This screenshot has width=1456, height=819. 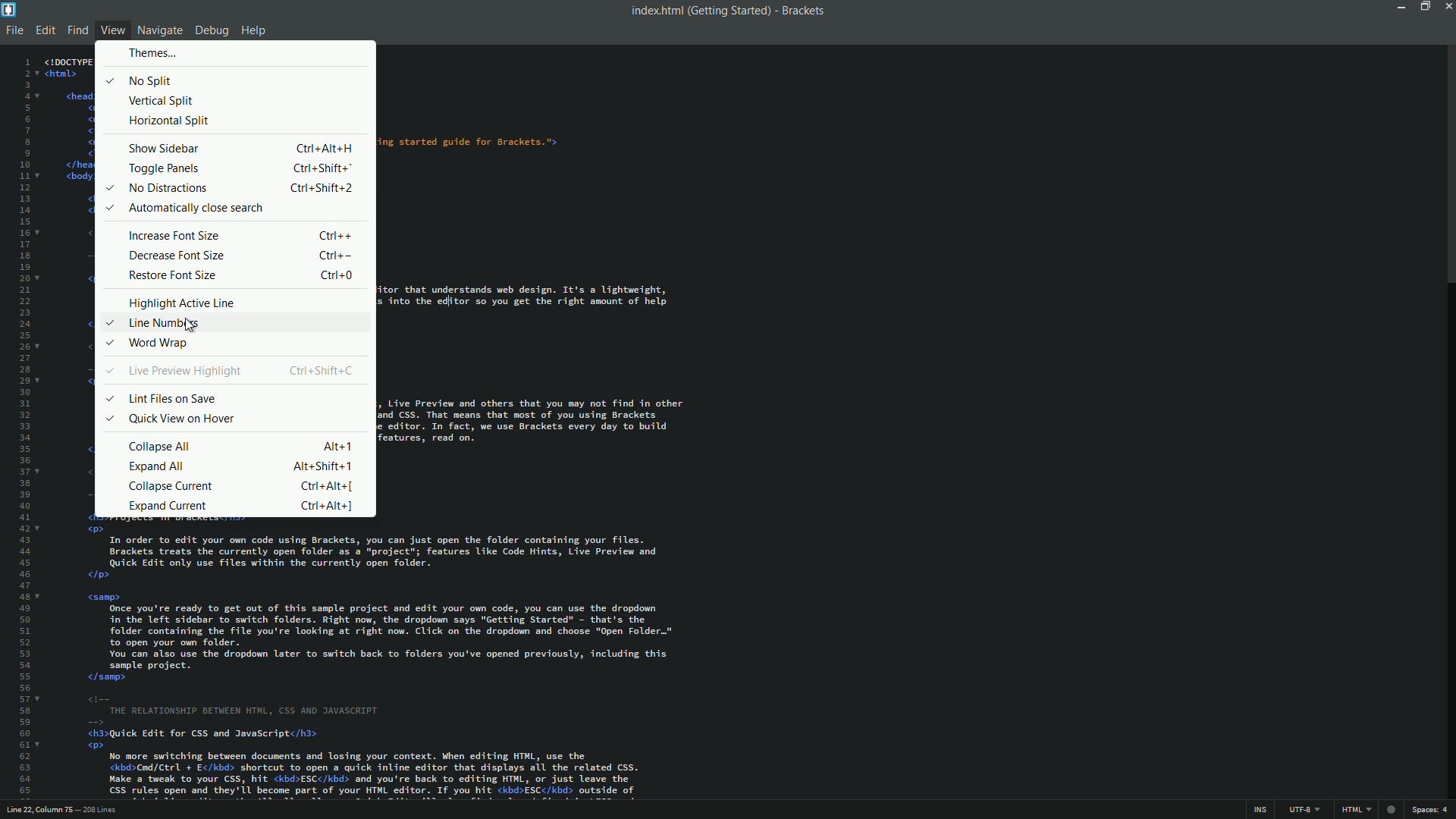 What do you see at coordinates (160, 30) in the screenshot?
I see `navigate` at bounding box center [160, 30].